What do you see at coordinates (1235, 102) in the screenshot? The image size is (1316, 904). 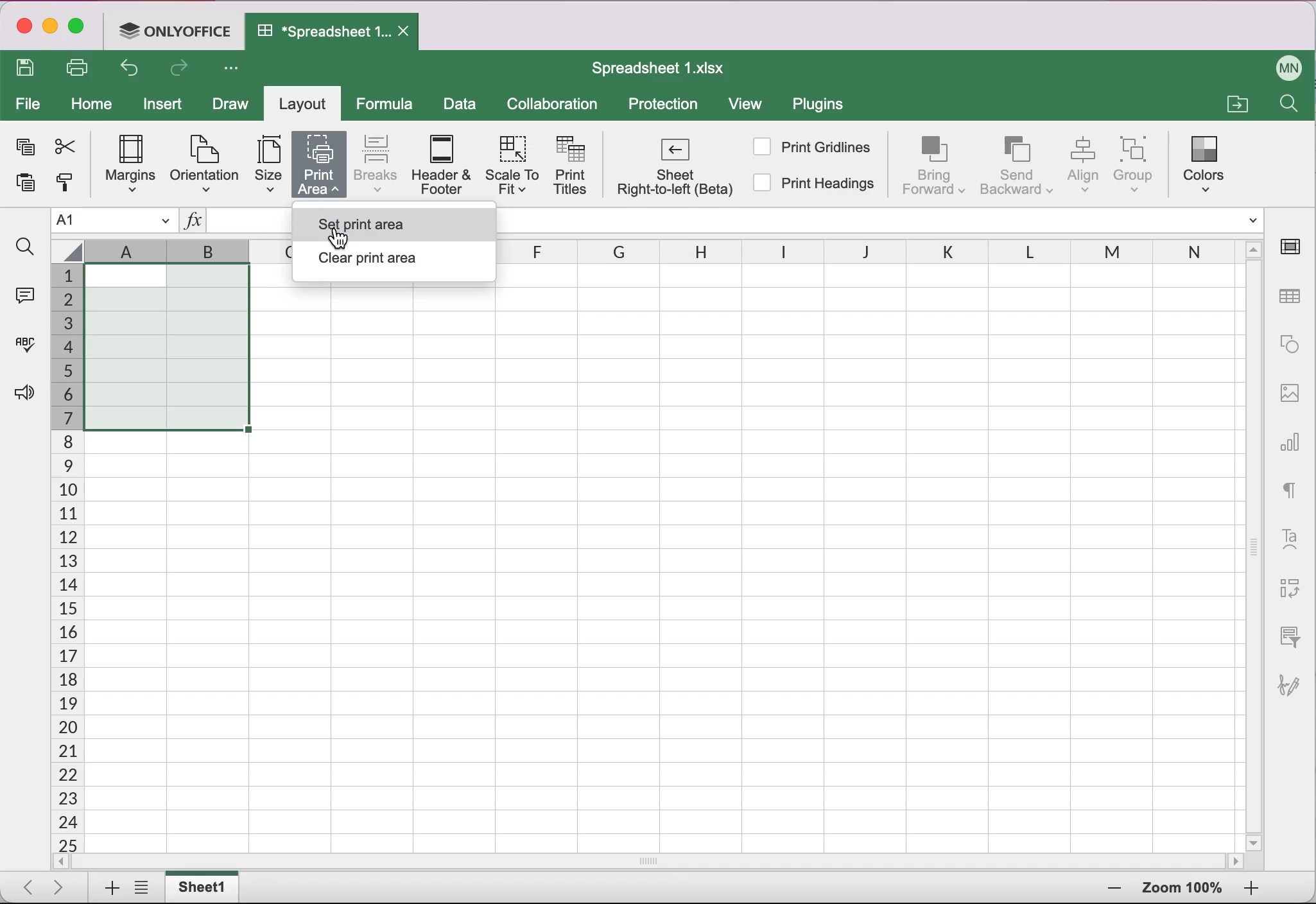 I see `open file location` at bounding box center [1235, 102].